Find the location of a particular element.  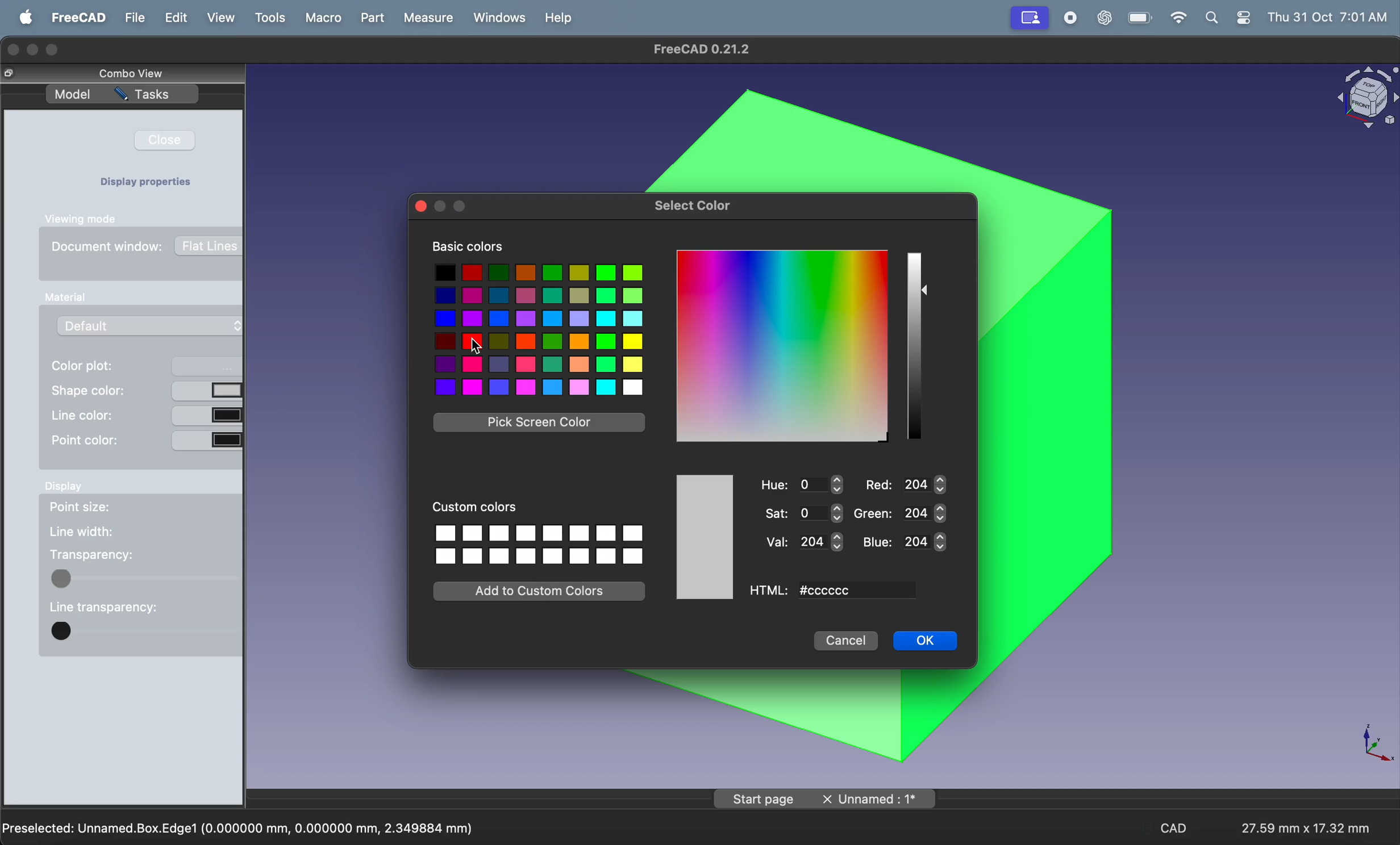

color code is located at coordinates (869, 590).